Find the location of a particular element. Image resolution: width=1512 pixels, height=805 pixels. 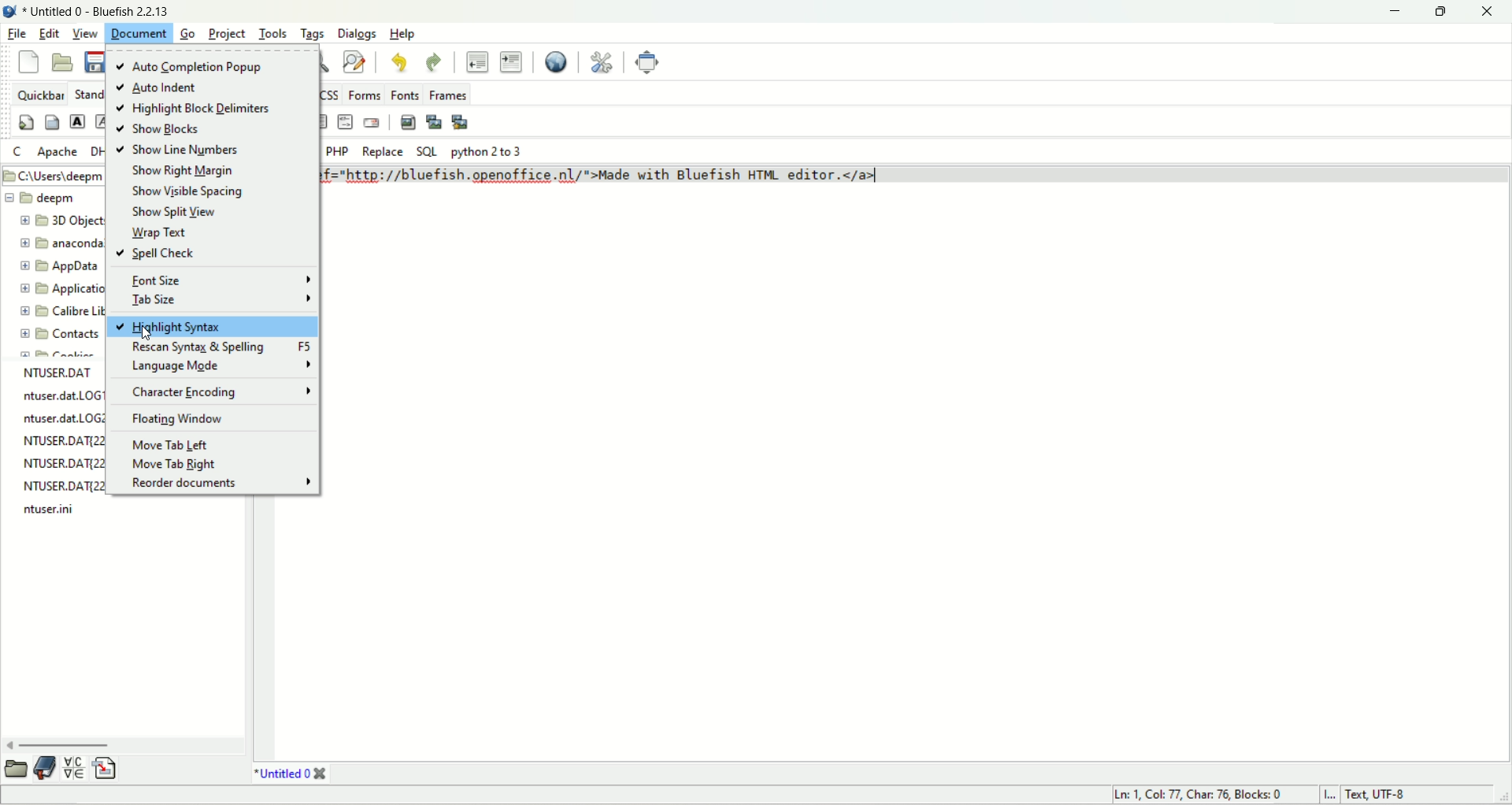

save current file is located at coordinates (95, 62).